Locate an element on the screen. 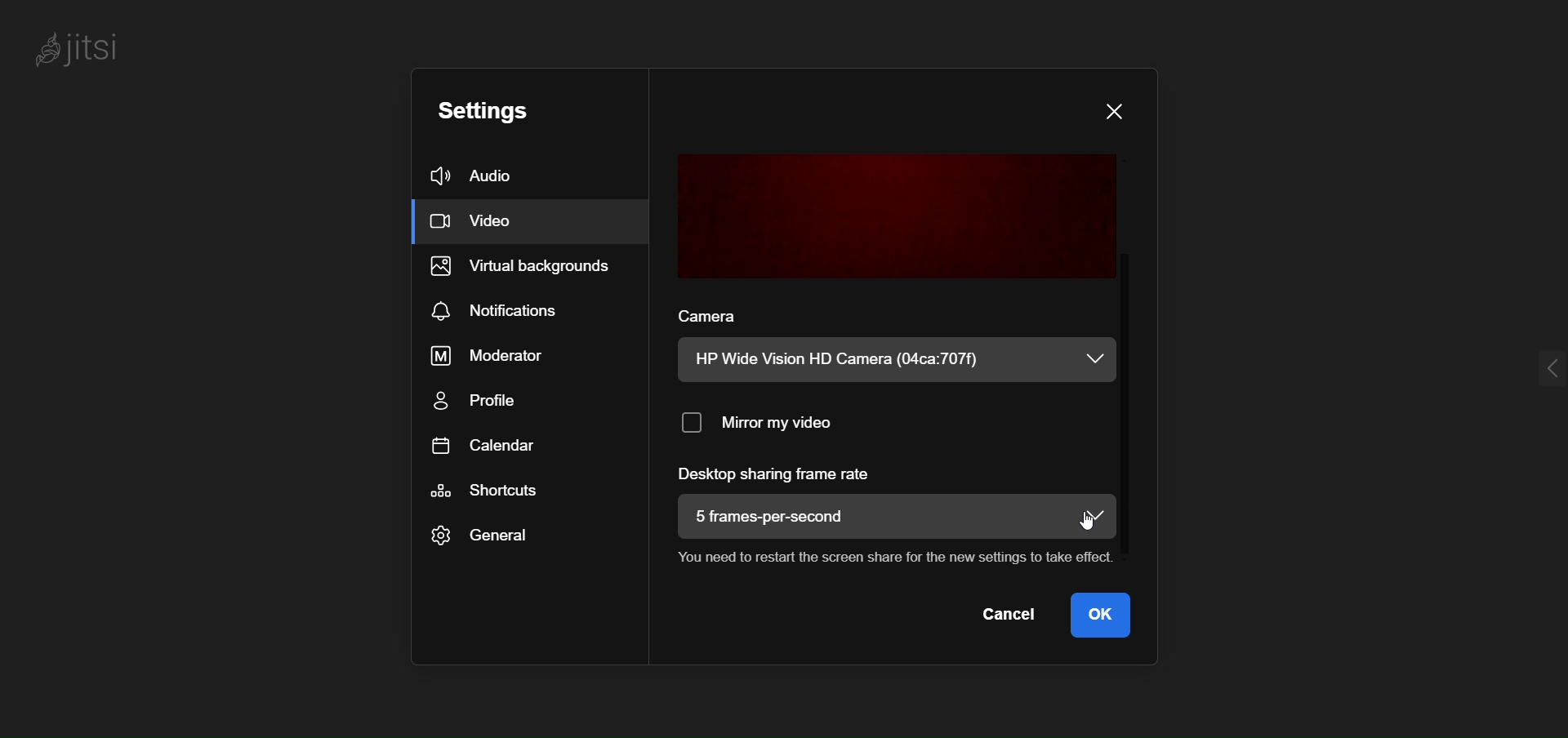 Image resolution: width=1568 pixels, height=738 pixels. cancel is located at coordinates (1013, 616).